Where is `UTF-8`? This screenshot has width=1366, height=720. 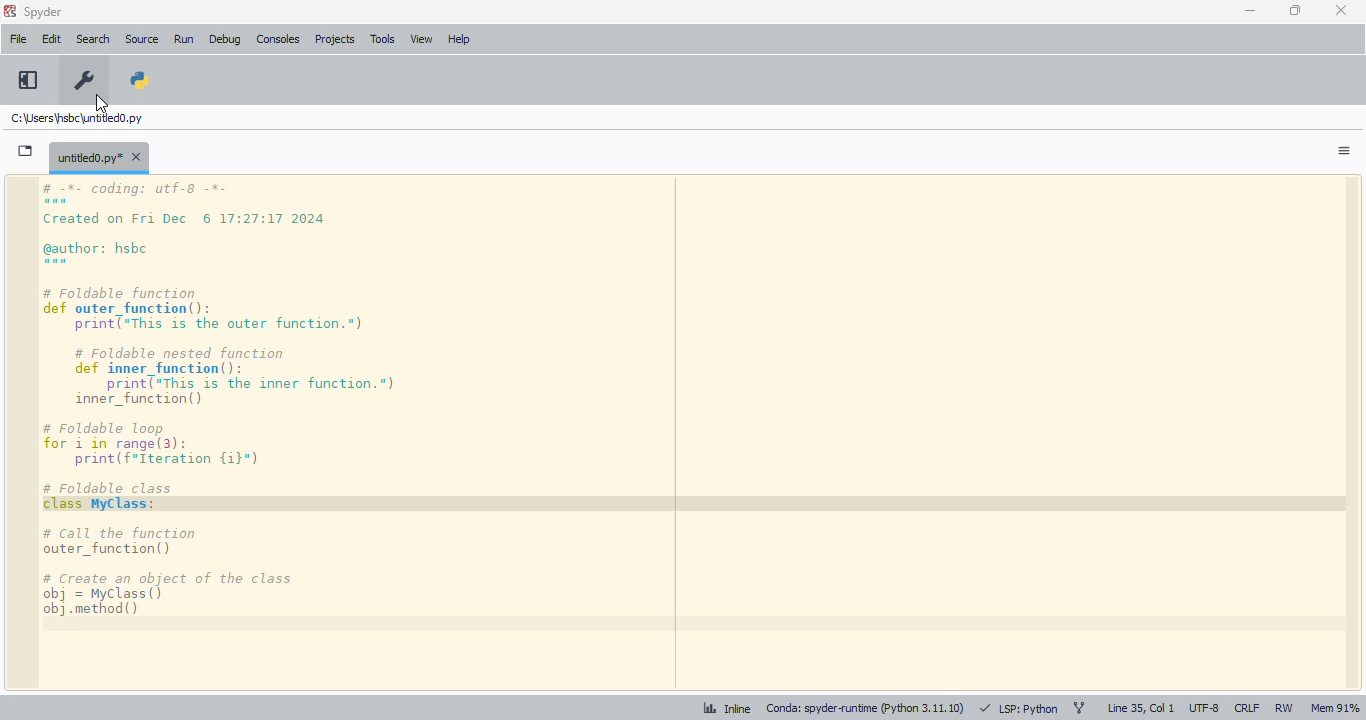 UTF-8 is located at coordinates (1205, 709).